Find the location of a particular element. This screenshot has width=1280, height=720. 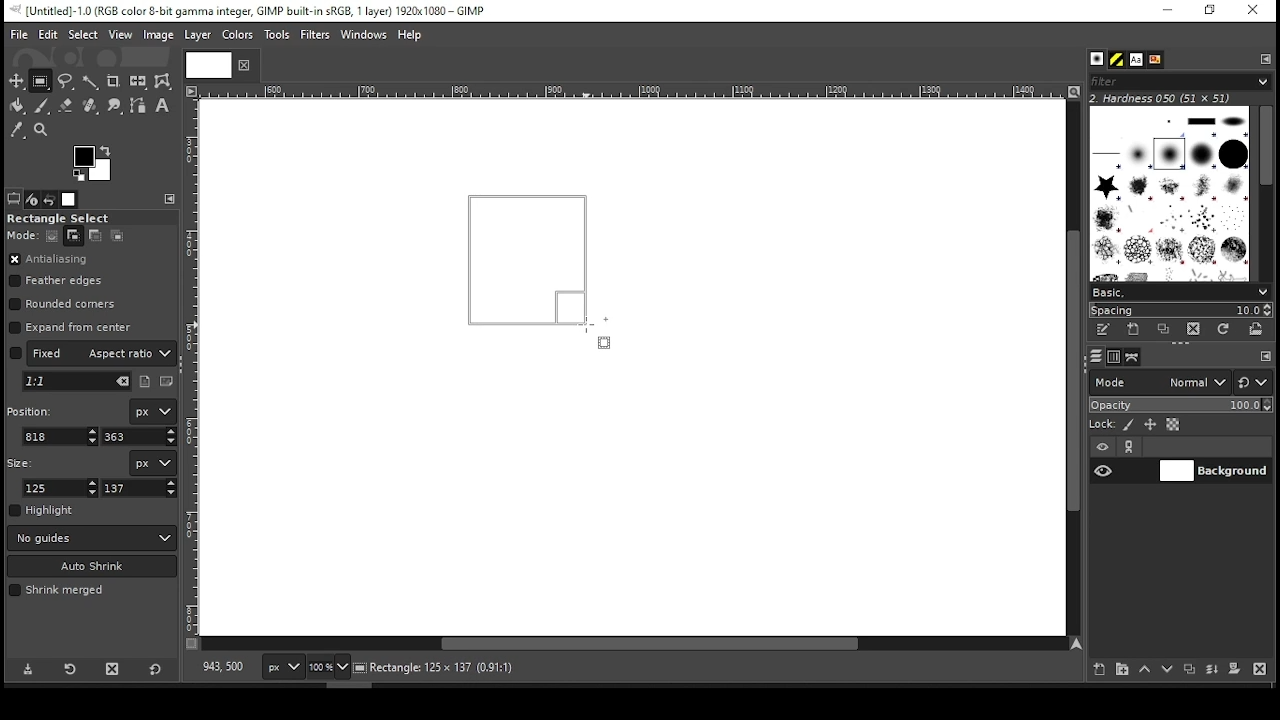

zoom tool is located at coordinates (42, 131).